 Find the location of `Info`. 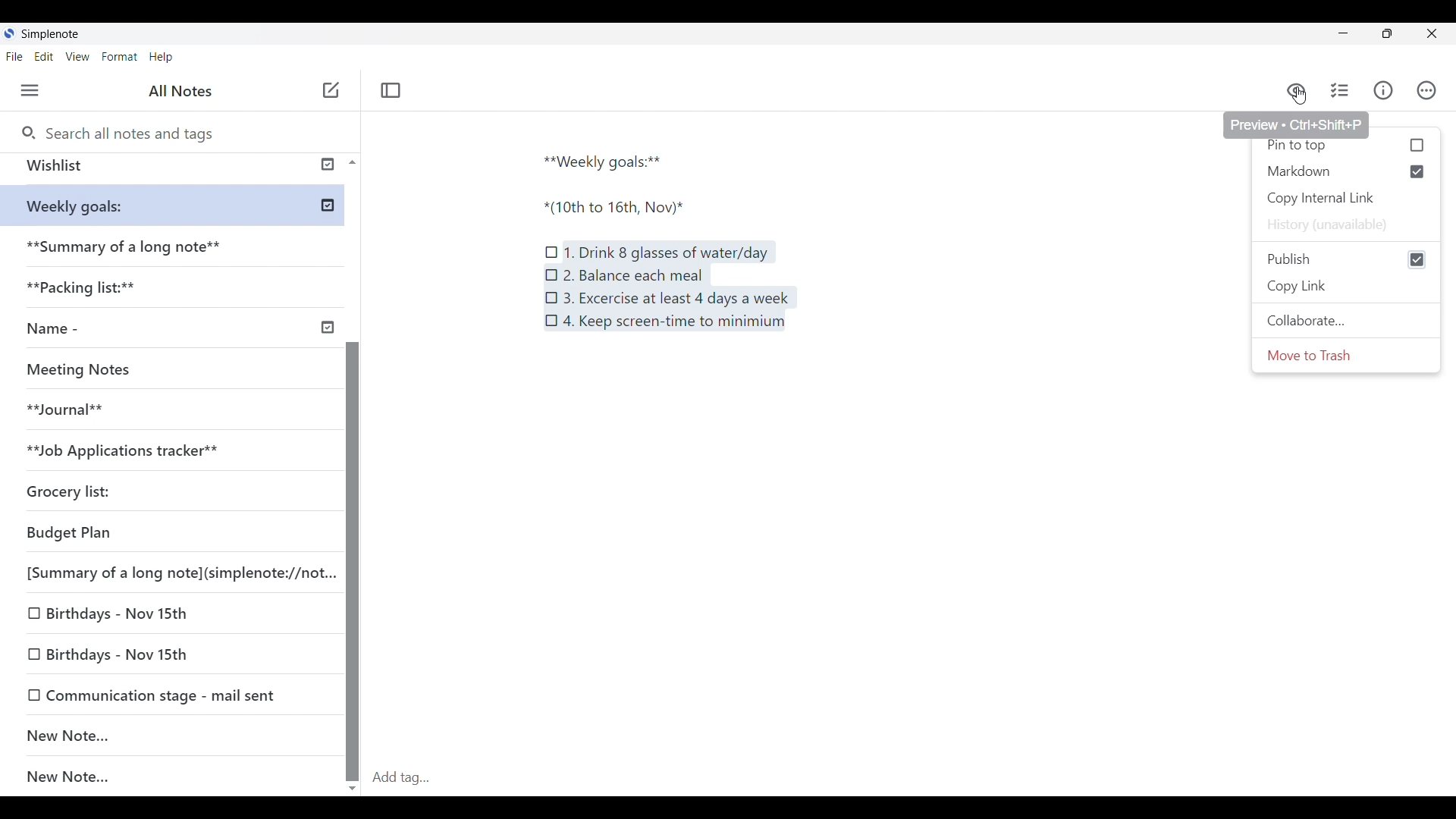

Info is located at coordinates (1385, 91).